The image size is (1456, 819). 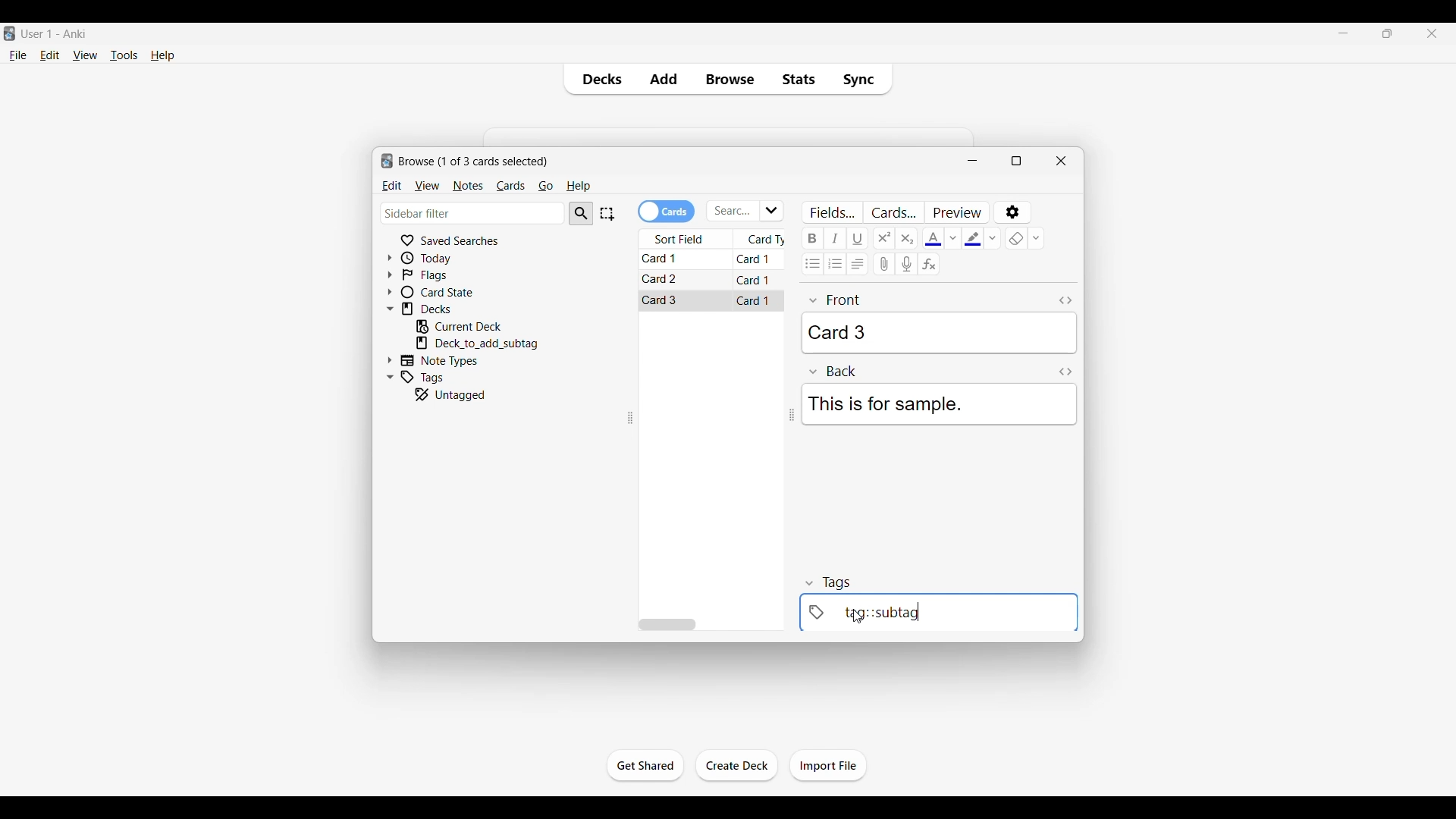 What do you see at coordinates (686, 239) in the screenshot?
I see `Sort field column` at bounding box center [686, 239].